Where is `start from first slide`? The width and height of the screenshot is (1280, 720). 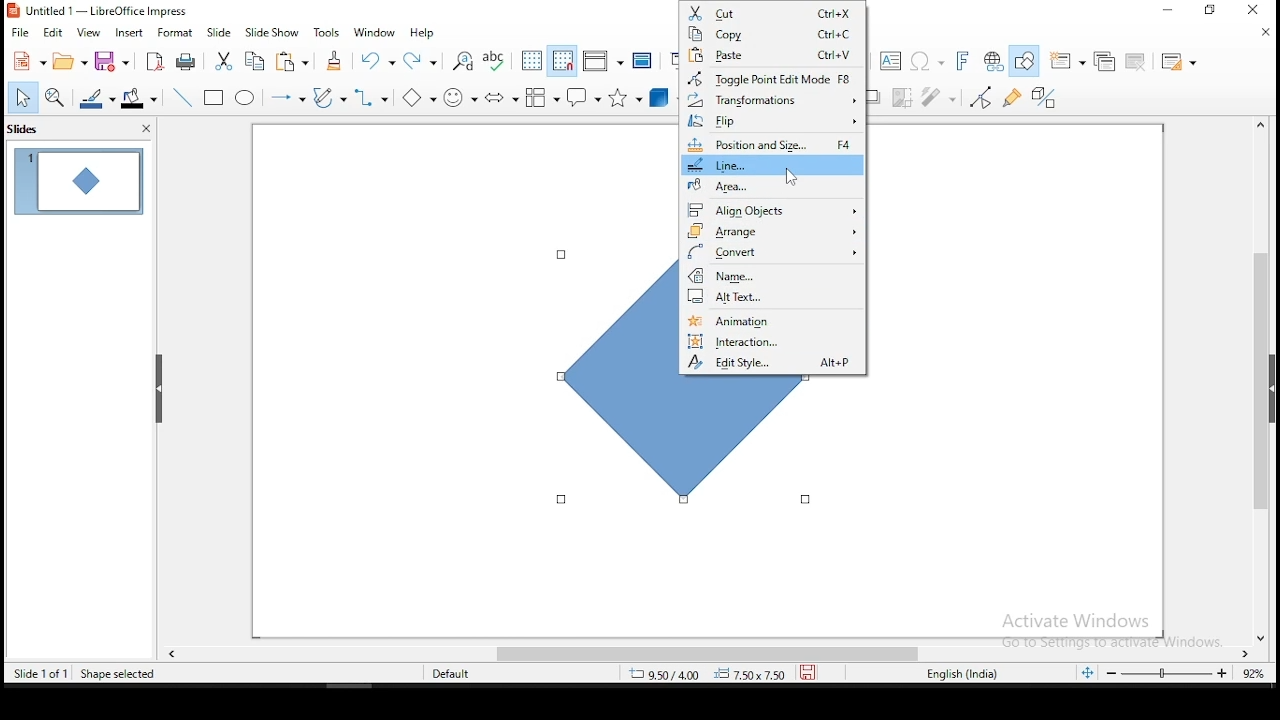
start from first slide is located at coordinates (674, 58).